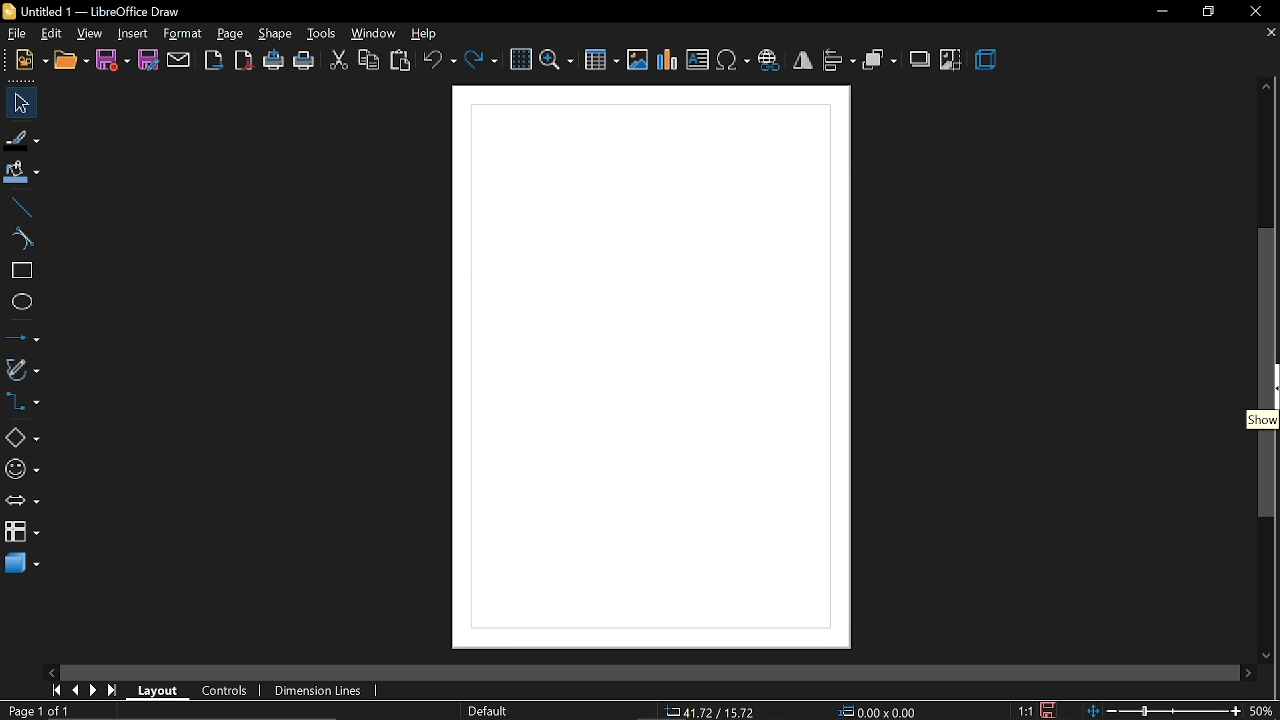 The width and height of the screenshot is (1280, 720). What do you see at coordinates (21, 305) in the screenshot?
I see `ellipse` at bounding box center [21, 305].